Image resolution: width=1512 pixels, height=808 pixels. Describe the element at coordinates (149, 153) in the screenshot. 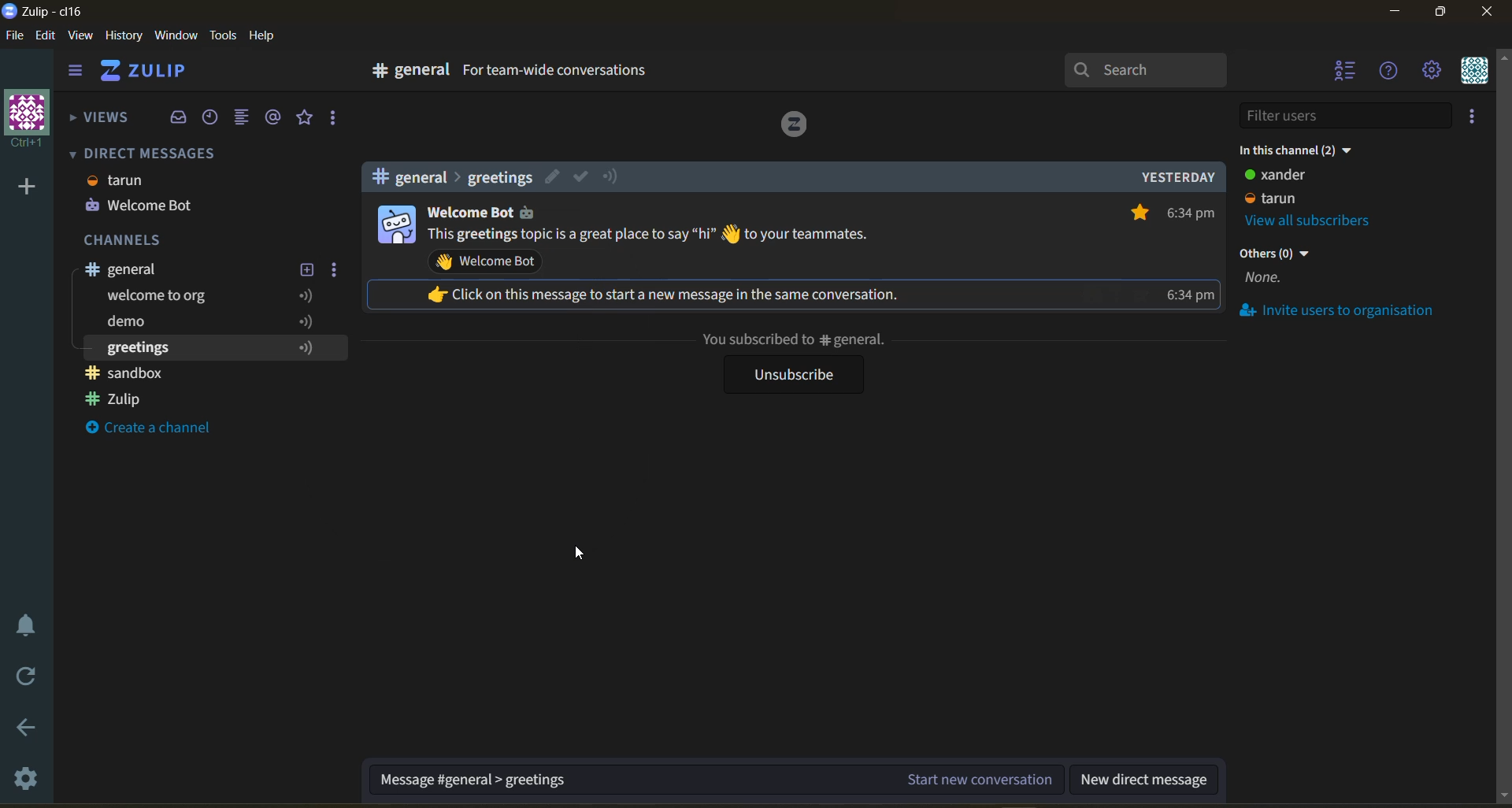

I see `direct messages` at that location.